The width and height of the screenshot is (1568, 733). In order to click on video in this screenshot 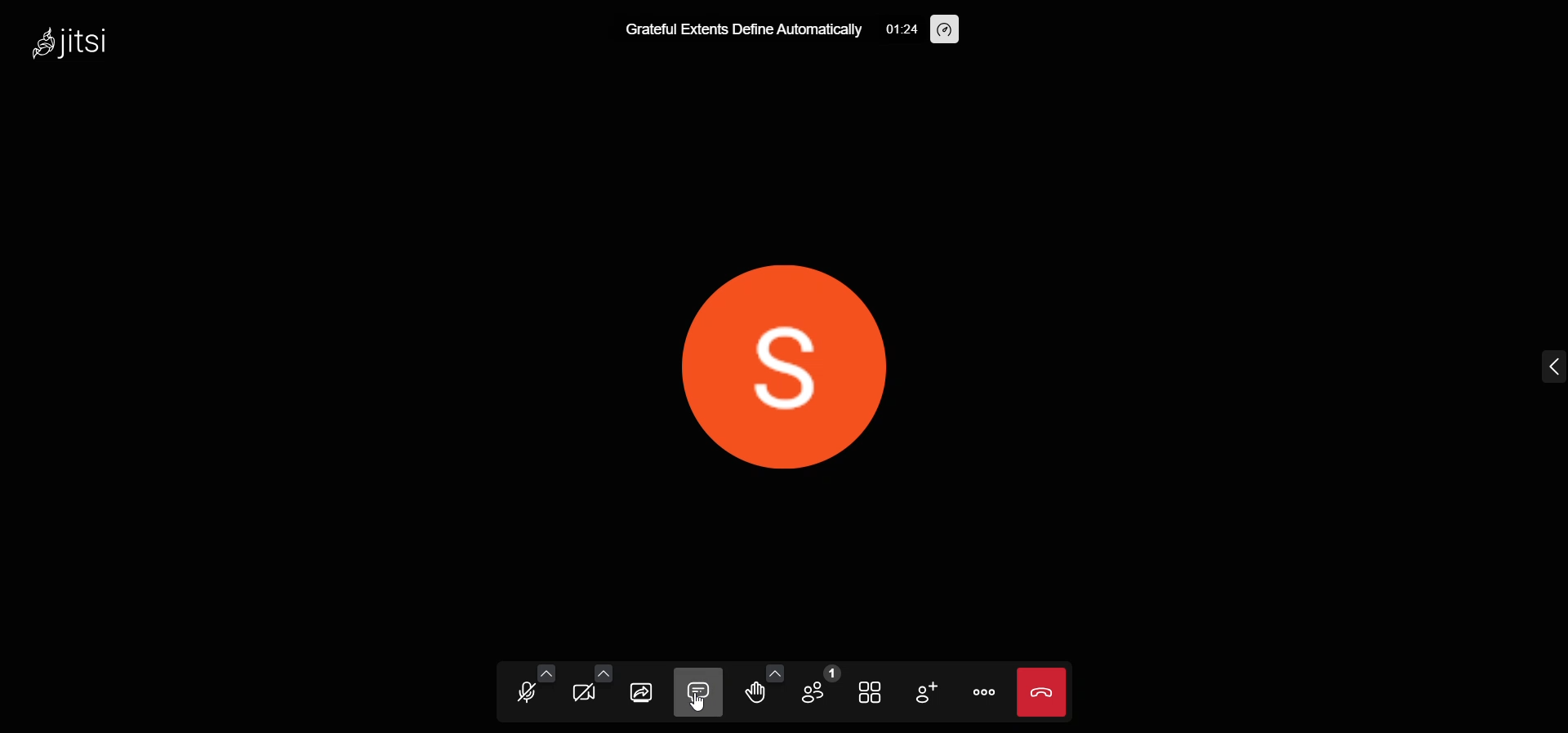, I will do `click(577, 695)`.